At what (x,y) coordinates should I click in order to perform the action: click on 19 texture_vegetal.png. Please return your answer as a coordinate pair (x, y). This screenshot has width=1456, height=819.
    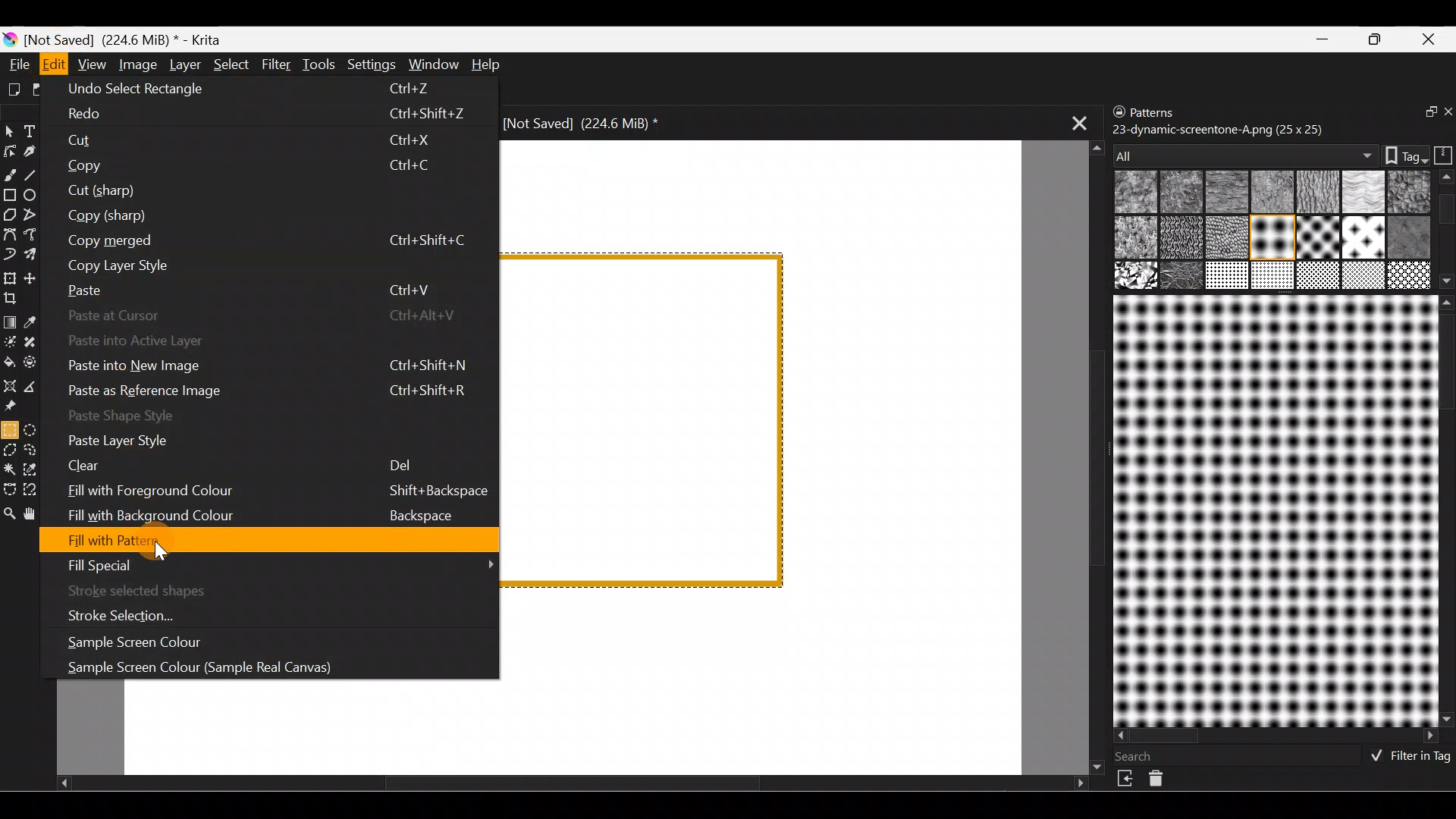
    Looking at the image, I should click on (1410, 275).